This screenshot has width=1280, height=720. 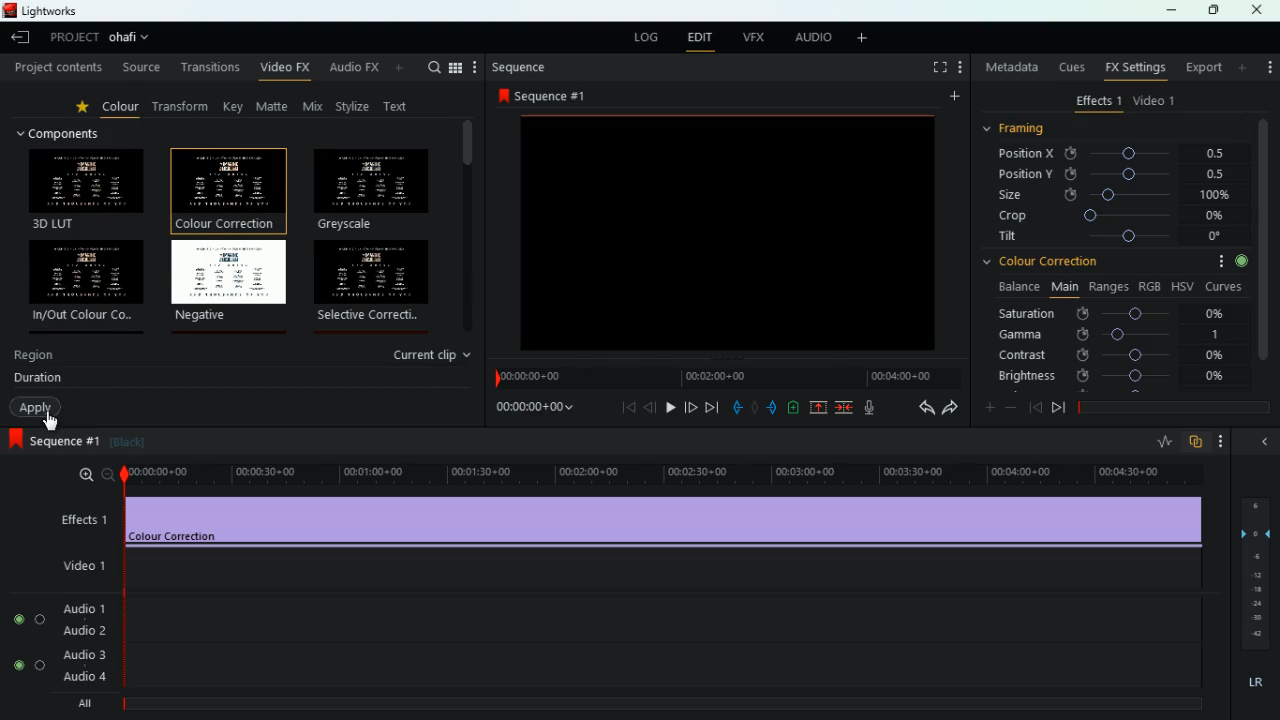 I want to click on leave, so click(x=18, y=39).